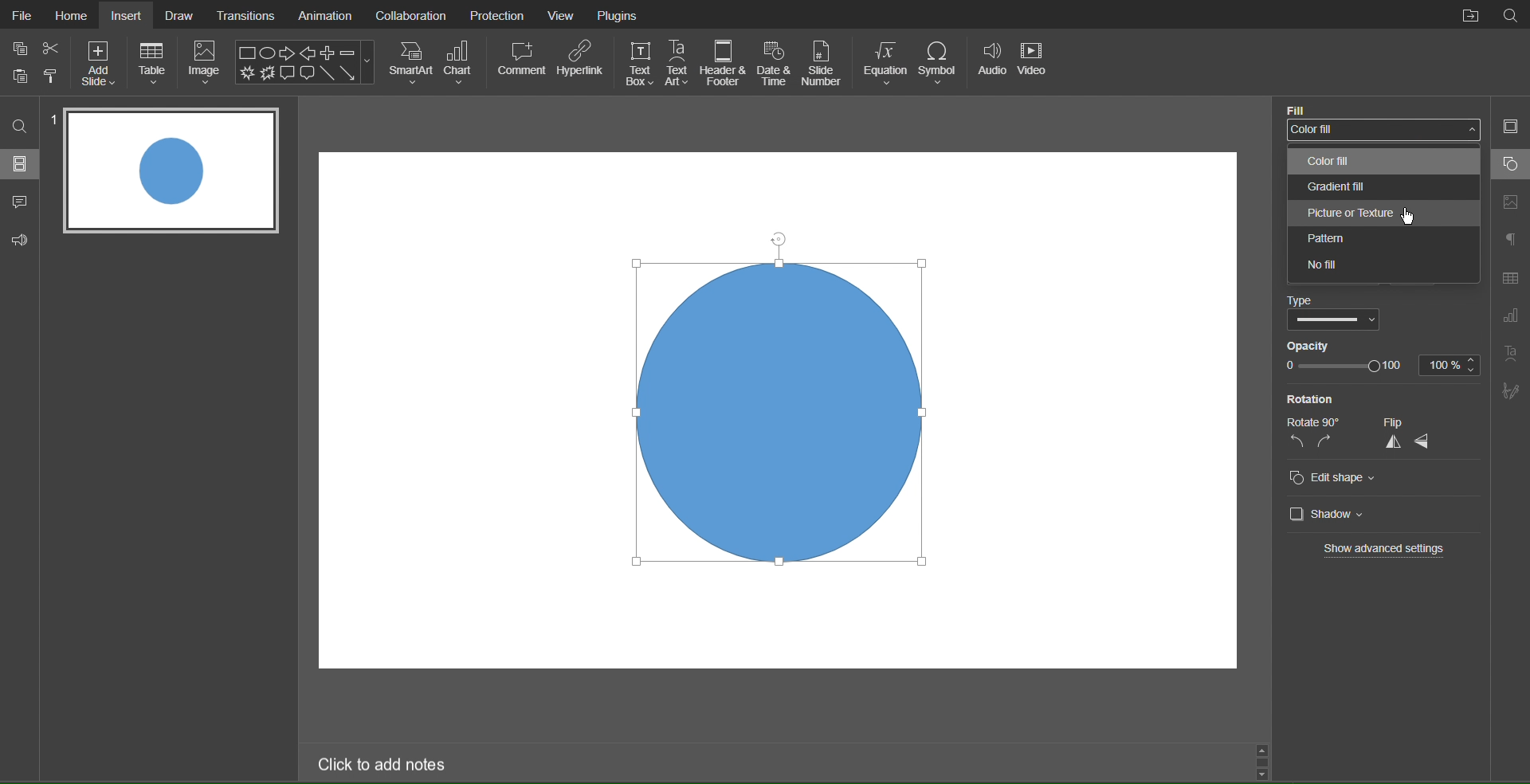  What do you see at coordinates (181, 14) in the screenshot?
I see `Draw` at bounding box center [181, 14].